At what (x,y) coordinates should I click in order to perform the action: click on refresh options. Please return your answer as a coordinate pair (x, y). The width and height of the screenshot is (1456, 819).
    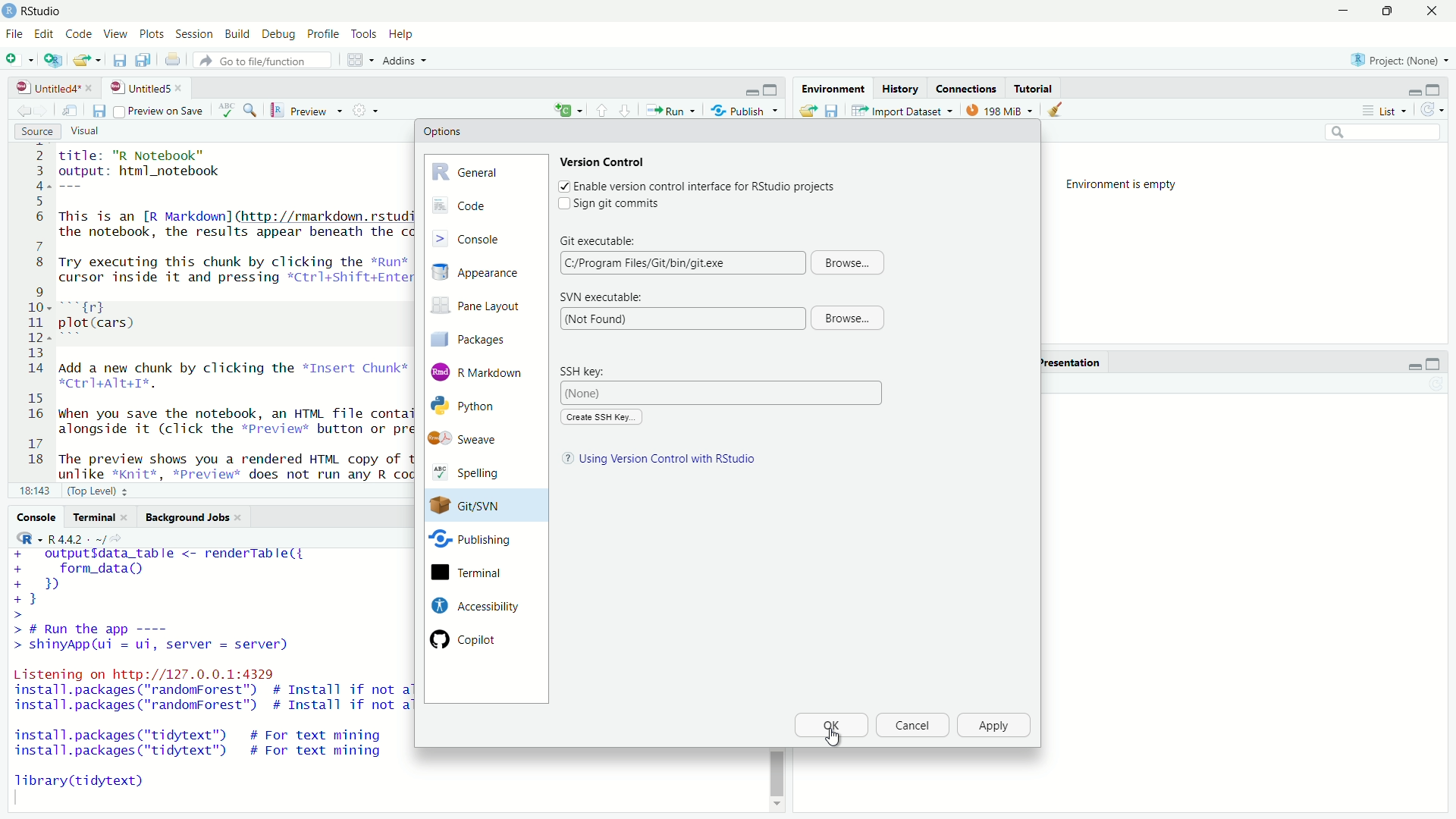
    Looking at the image, I should click on (1433, 110).